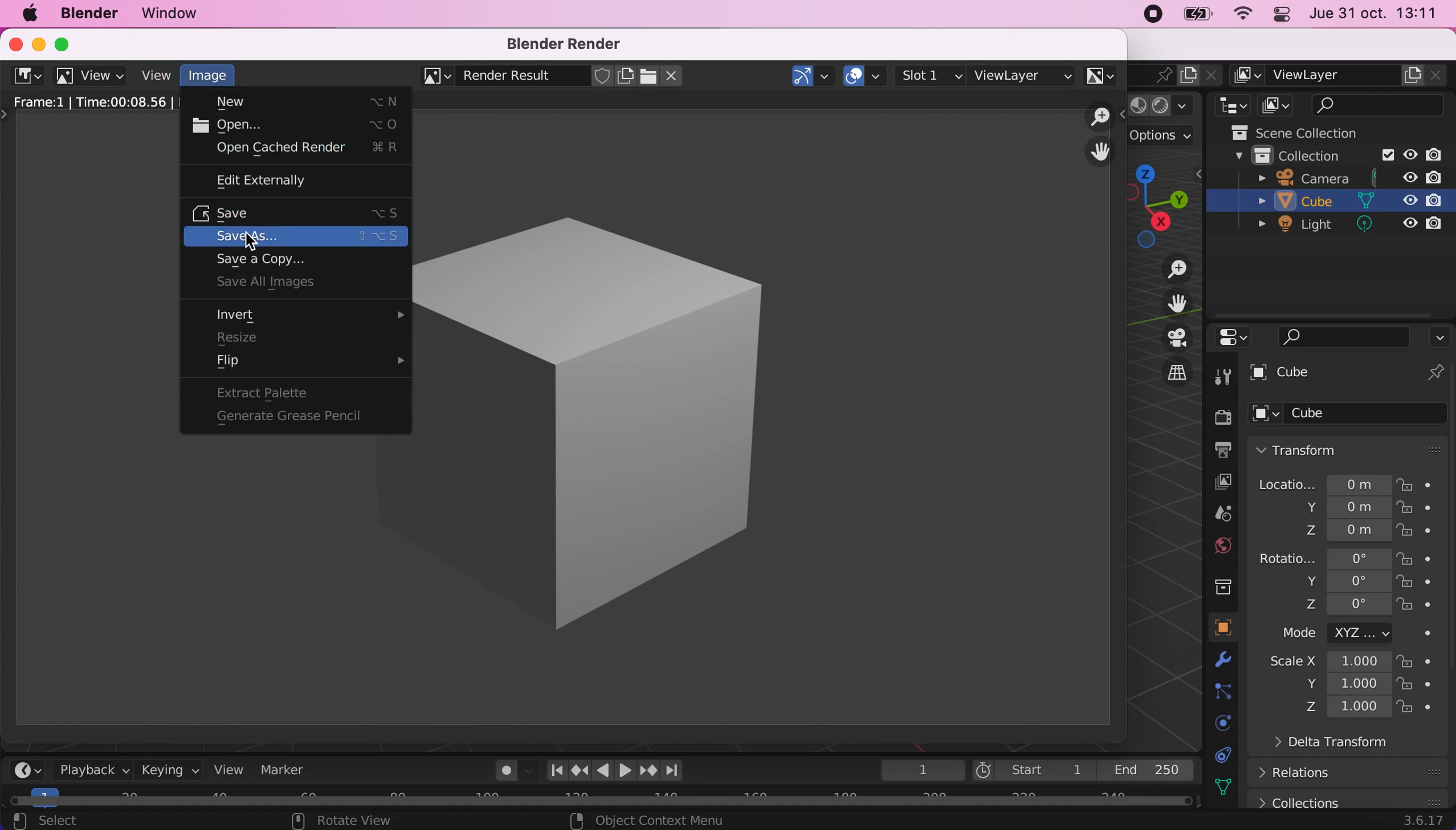  Describe the element at coordinates (1229, 338) in the screenshot. I see `editor type` at that location.